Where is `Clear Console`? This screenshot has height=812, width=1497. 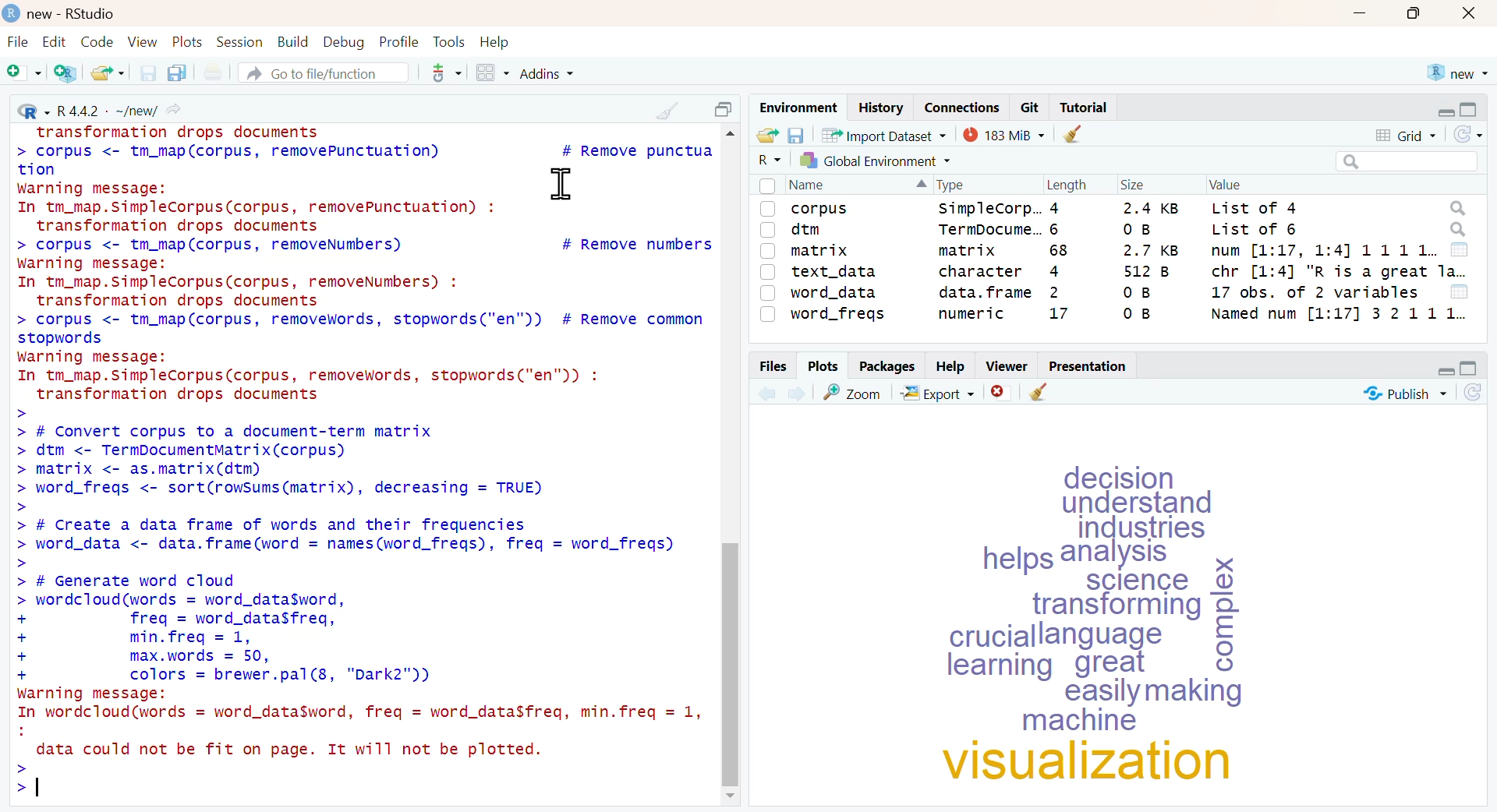 Clear Console is located at coordinates (1038, 393).